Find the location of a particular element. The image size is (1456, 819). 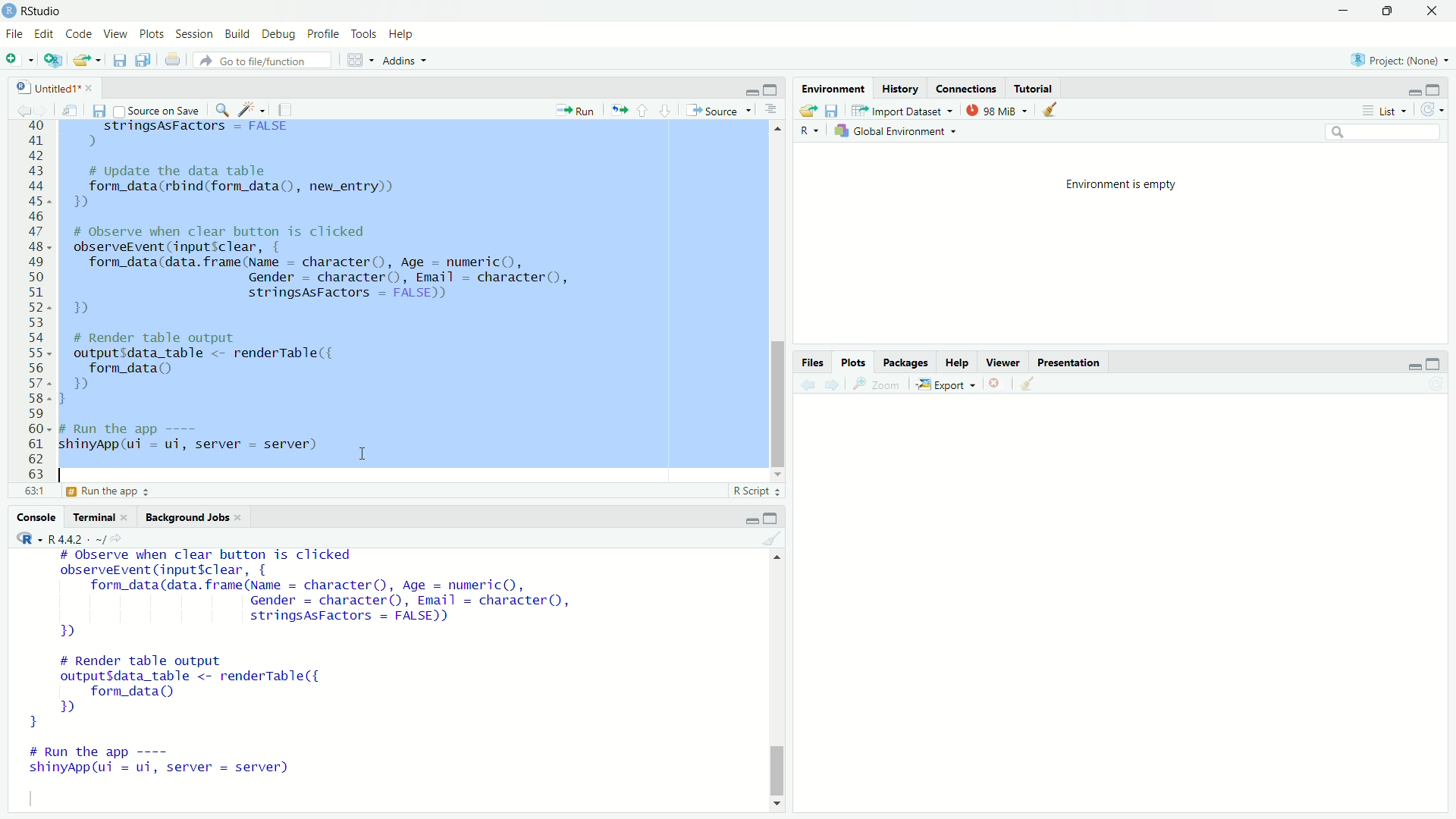

language change is located at coordinates (808, 131).